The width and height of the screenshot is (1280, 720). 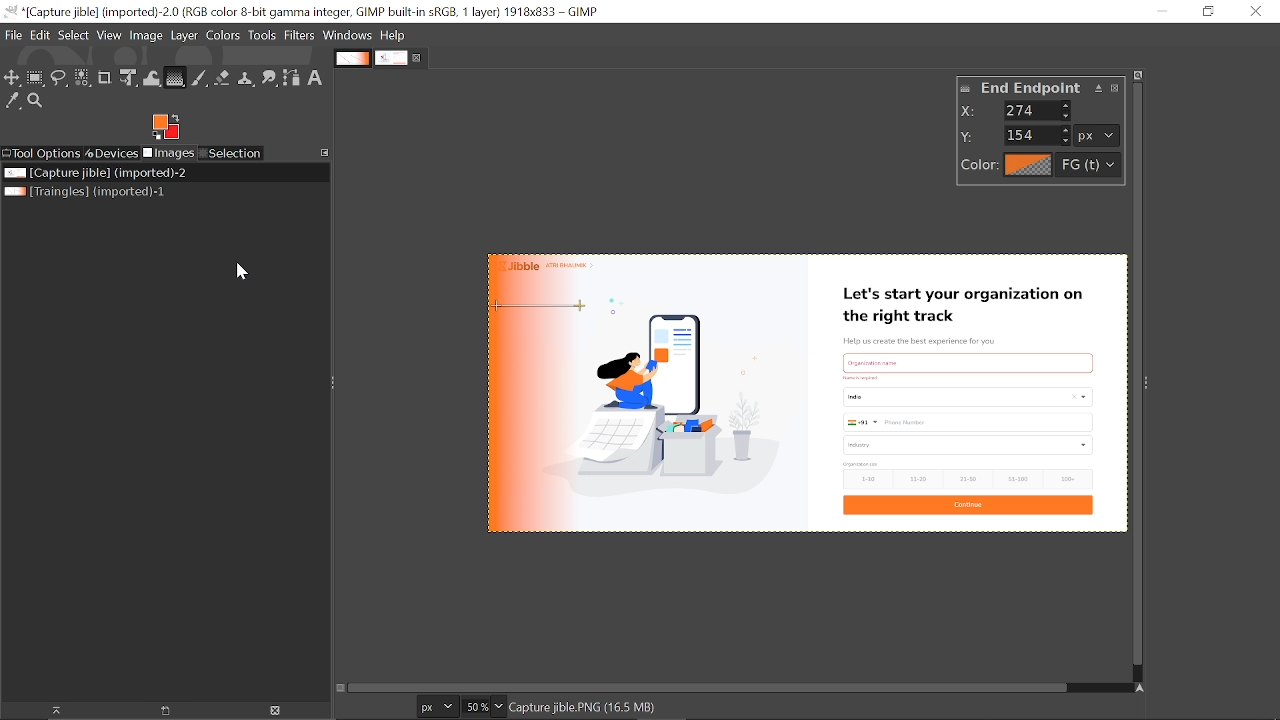 I want to click on Delete  the image, so click(x=278, y=711).